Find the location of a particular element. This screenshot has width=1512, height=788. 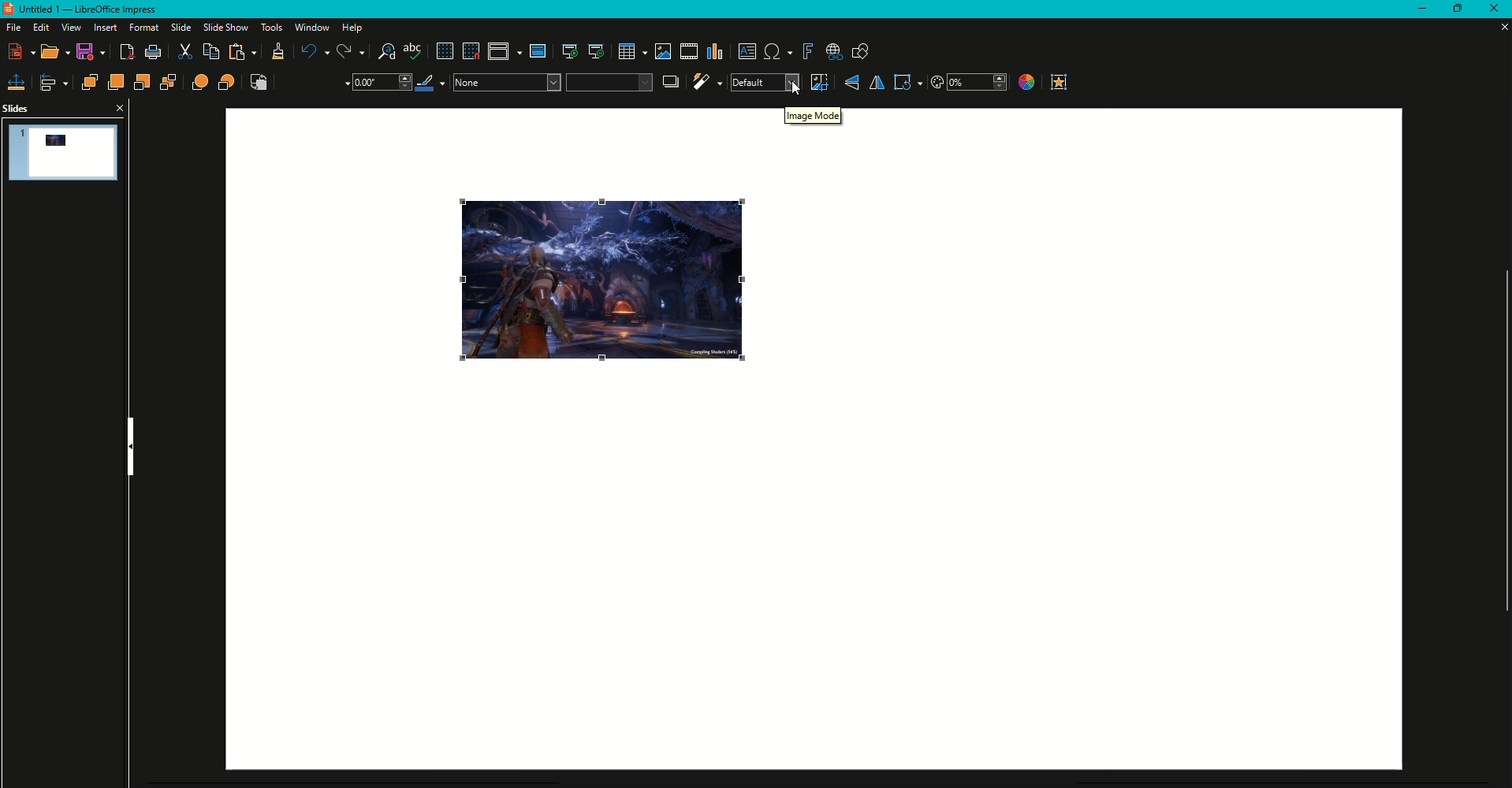

Redo is located at coordinates (351, 52).